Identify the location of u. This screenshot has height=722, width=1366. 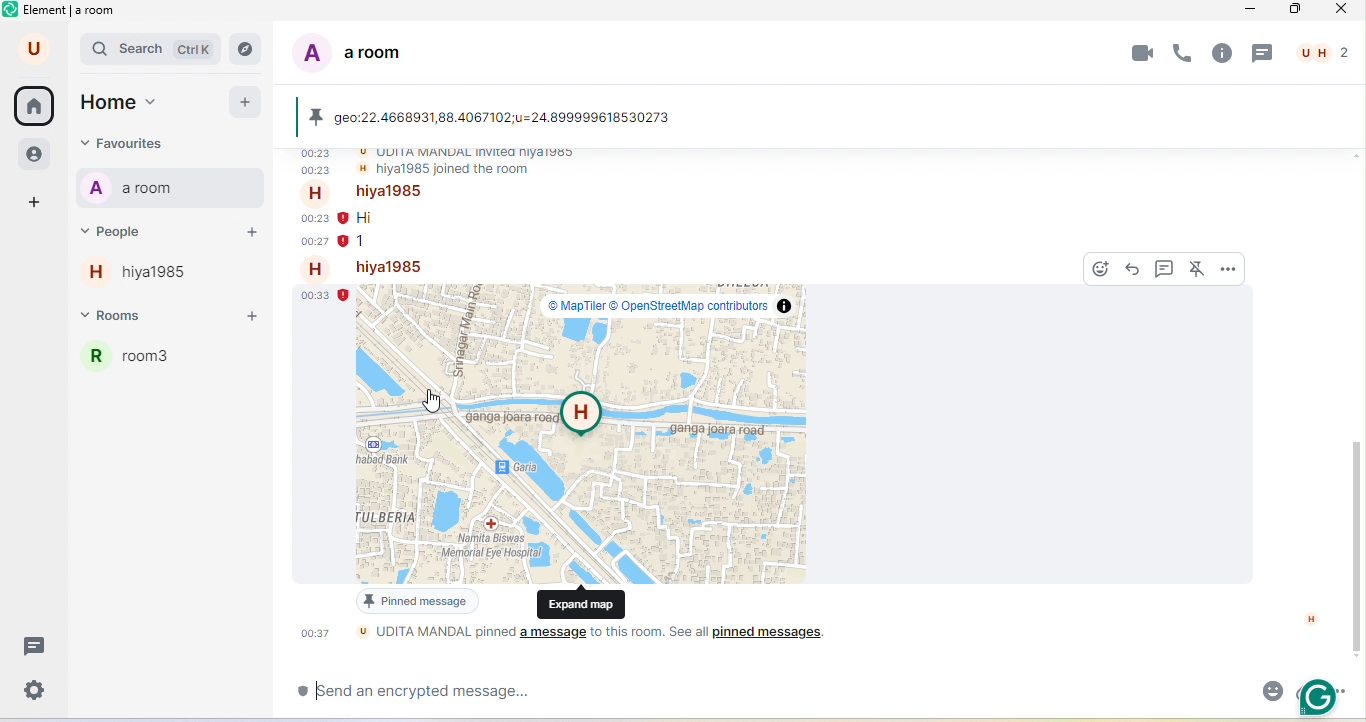
(29, 50).